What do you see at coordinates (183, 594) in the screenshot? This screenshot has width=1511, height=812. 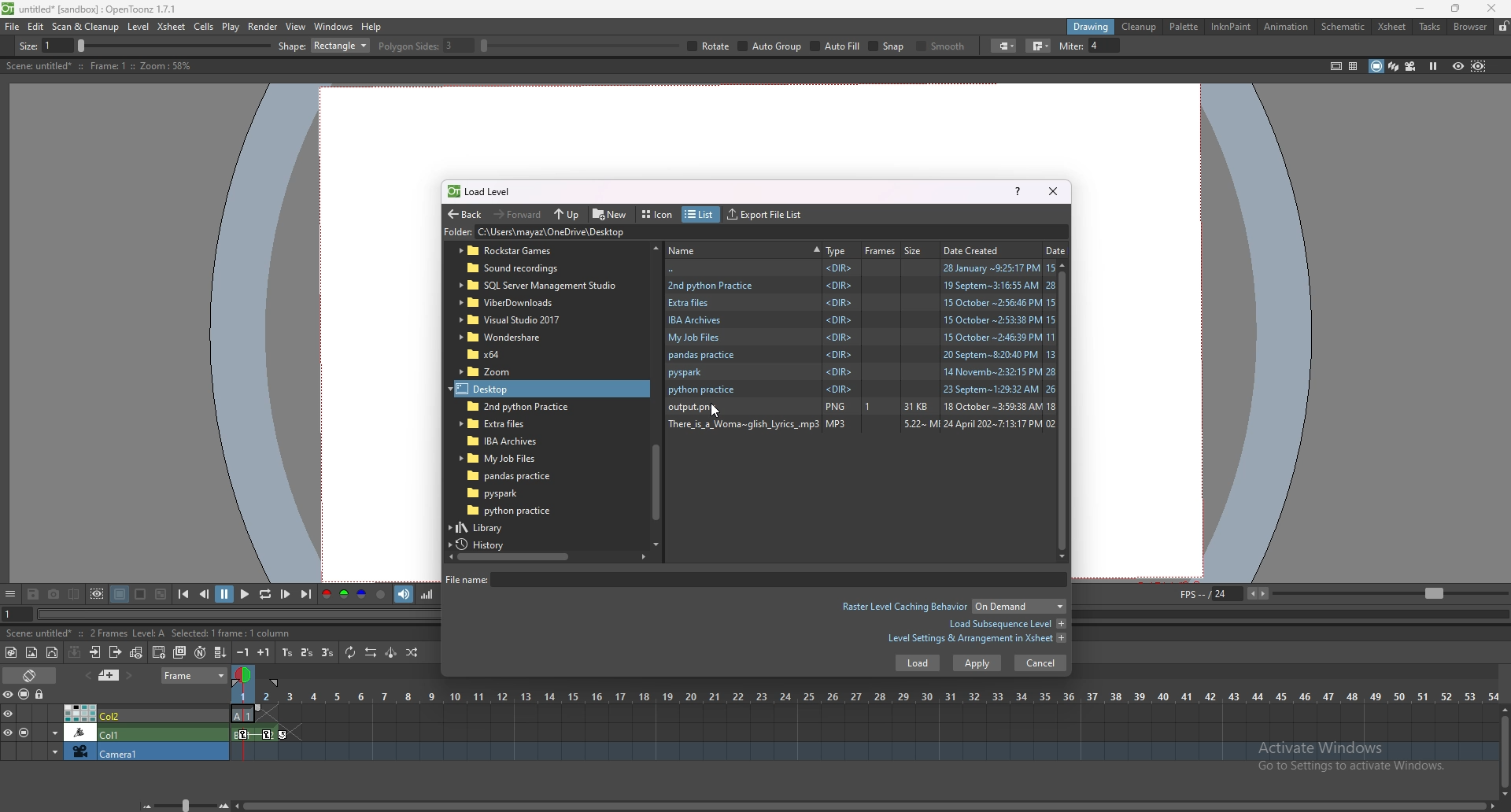 I see `first frame` at bounding box center [183, 594].